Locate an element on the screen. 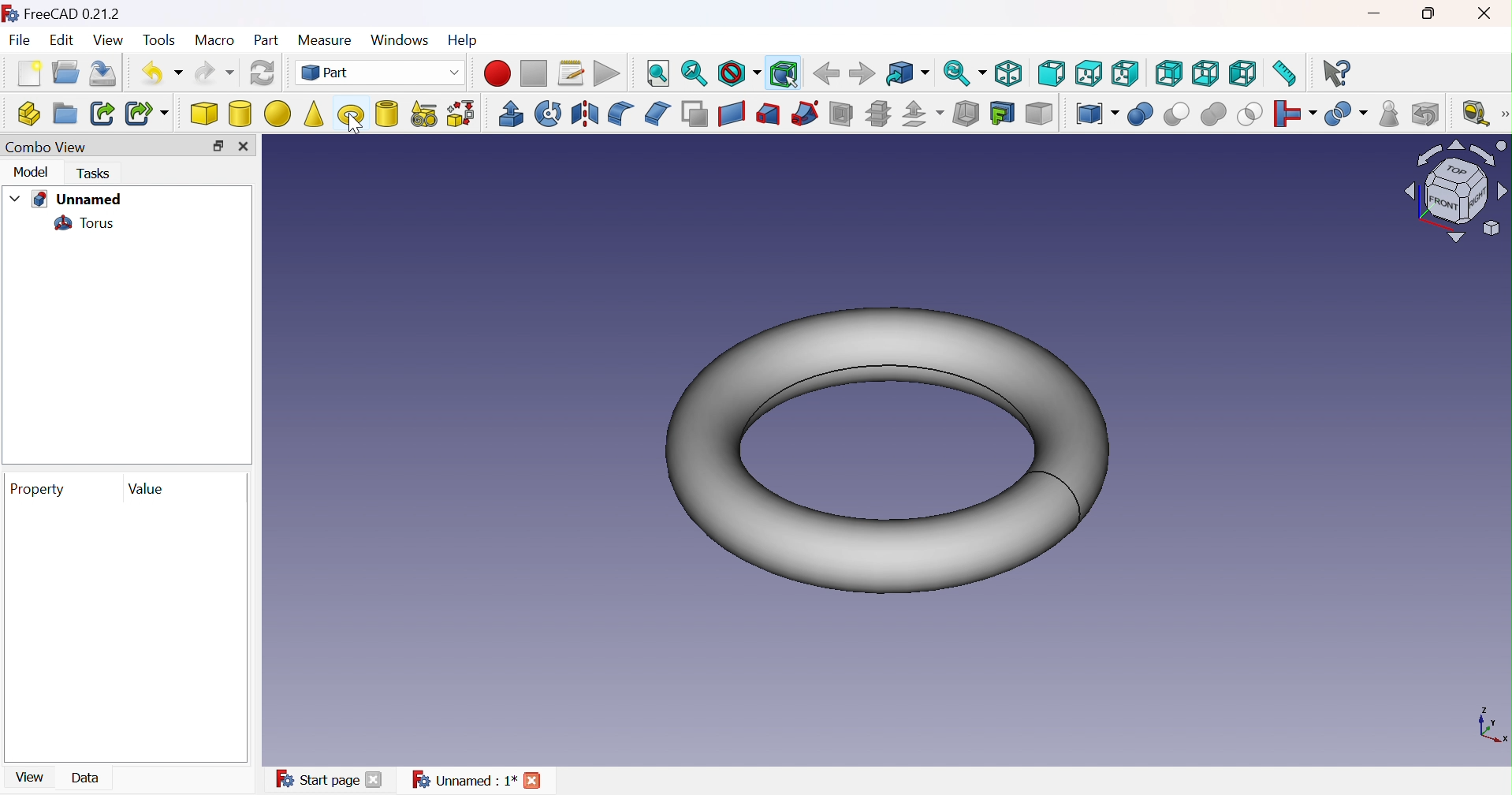 Image resolution: width=1512 pixels, height=795 pixels. Measure is located at coordinates (326, 42).